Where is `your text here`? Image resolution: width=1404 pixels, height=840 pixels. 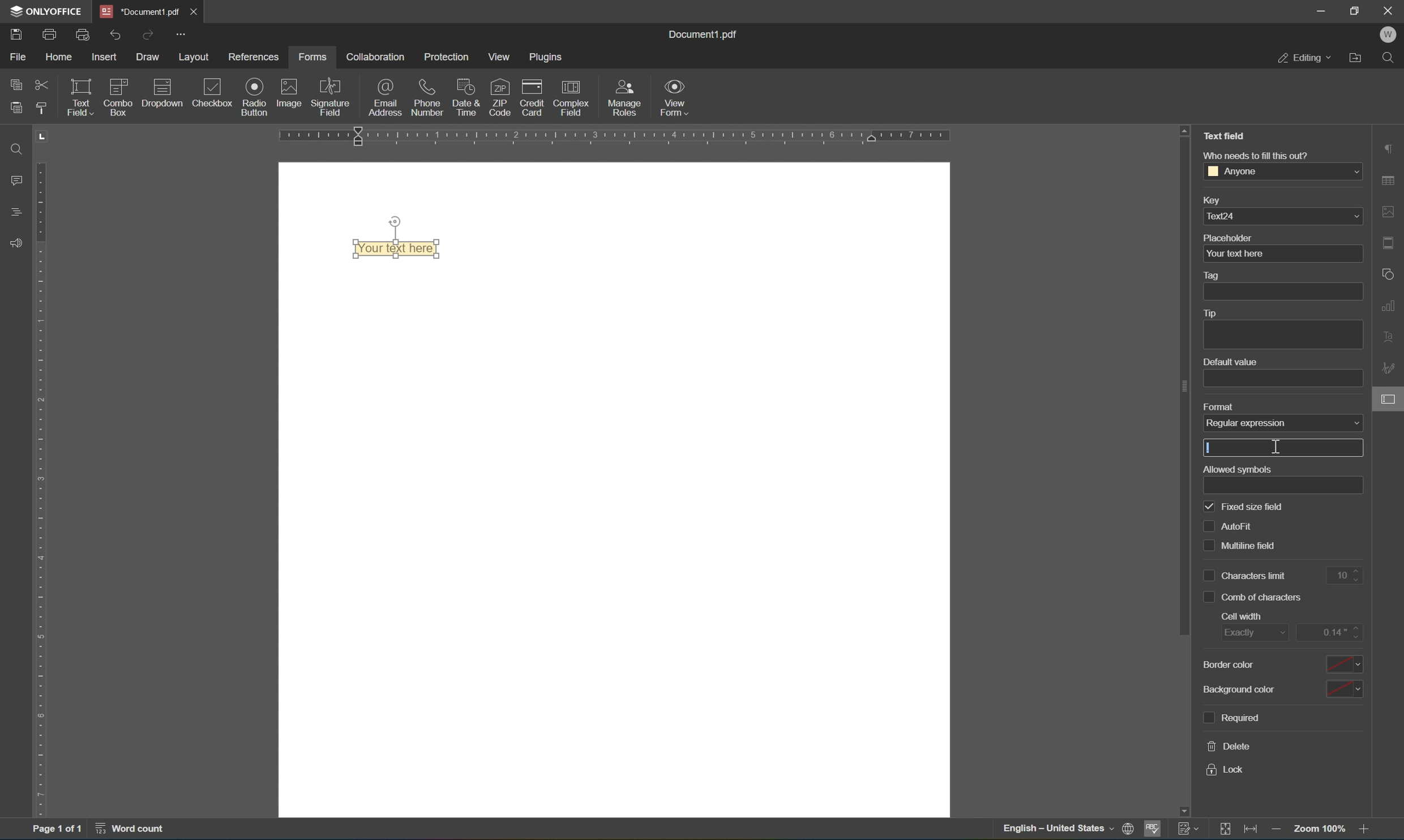
your text here is located at coordinates (1282, 254).